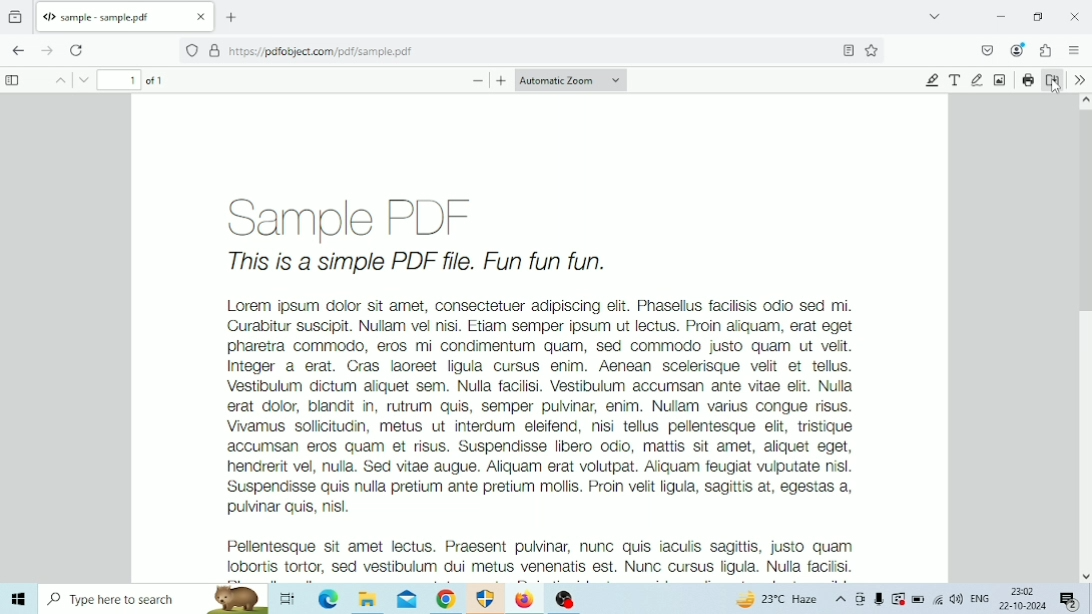 The height and width of the screenshot is (614, 1092). Describe the element at coordinates (328, 599) in the screenshot. I see `Microsoft Edge` at that location.